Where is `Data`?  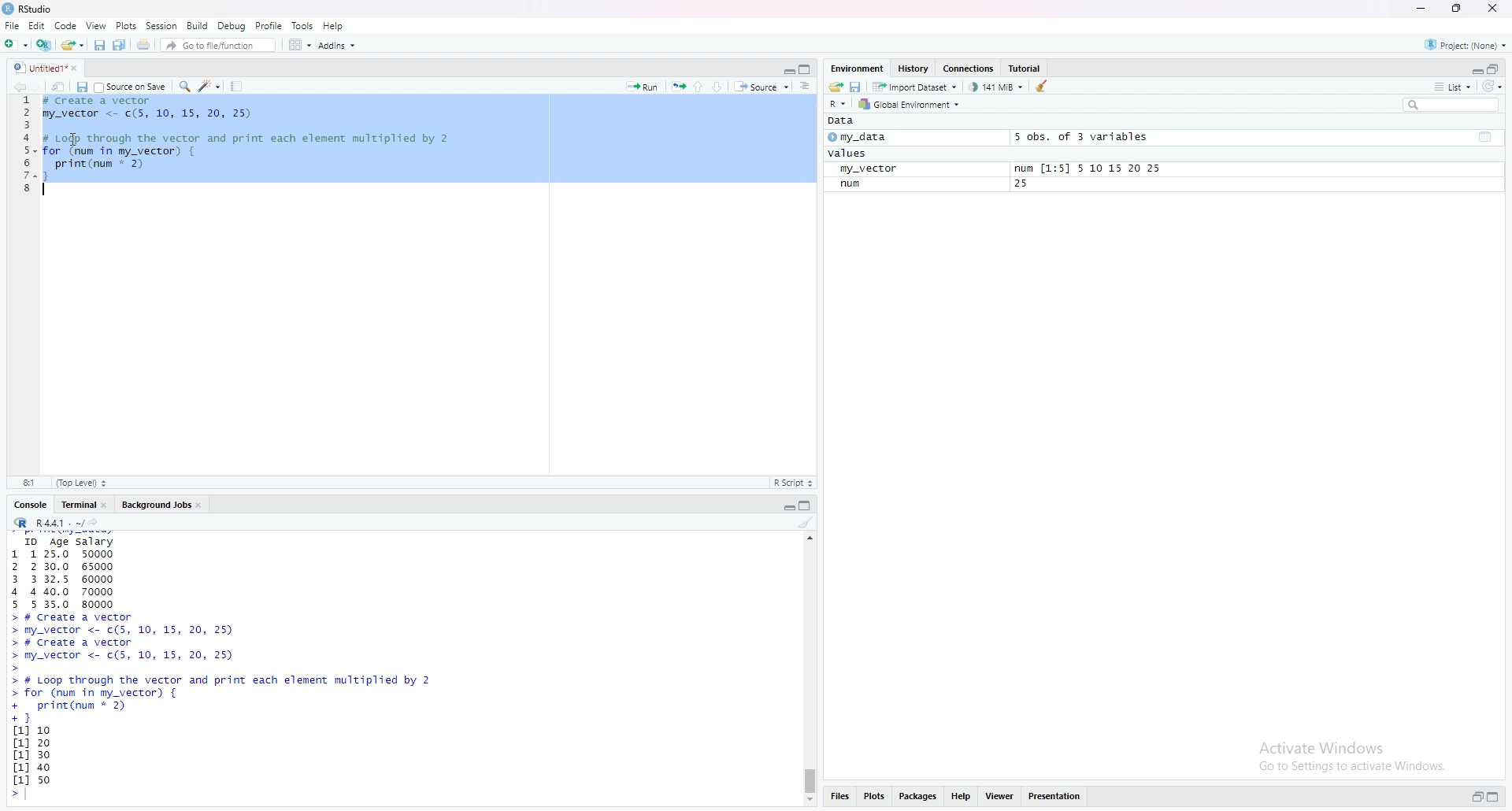
Data is located at coordinates (847, 121).